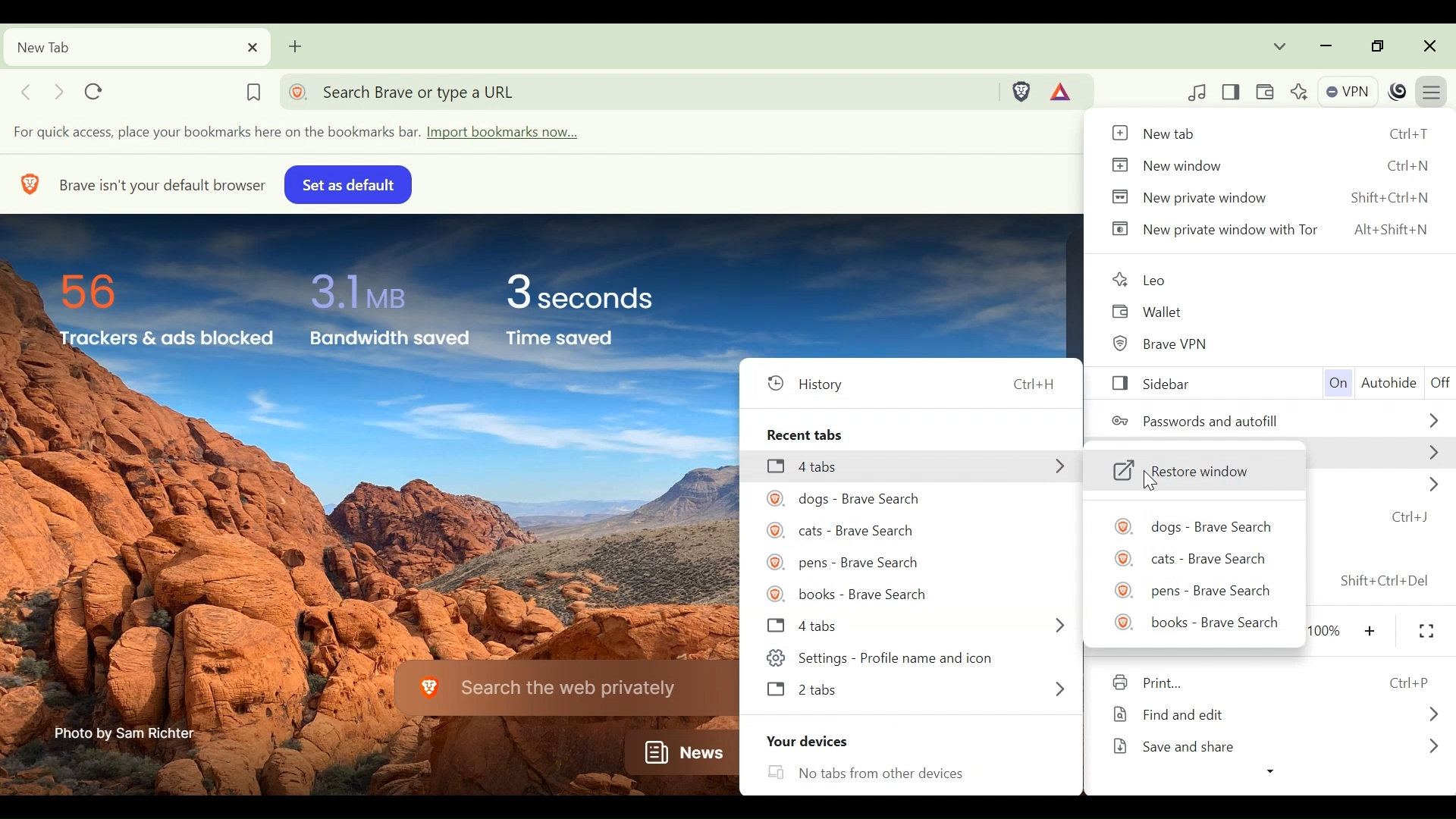  I want to click on MORE, so click(1432, 750).